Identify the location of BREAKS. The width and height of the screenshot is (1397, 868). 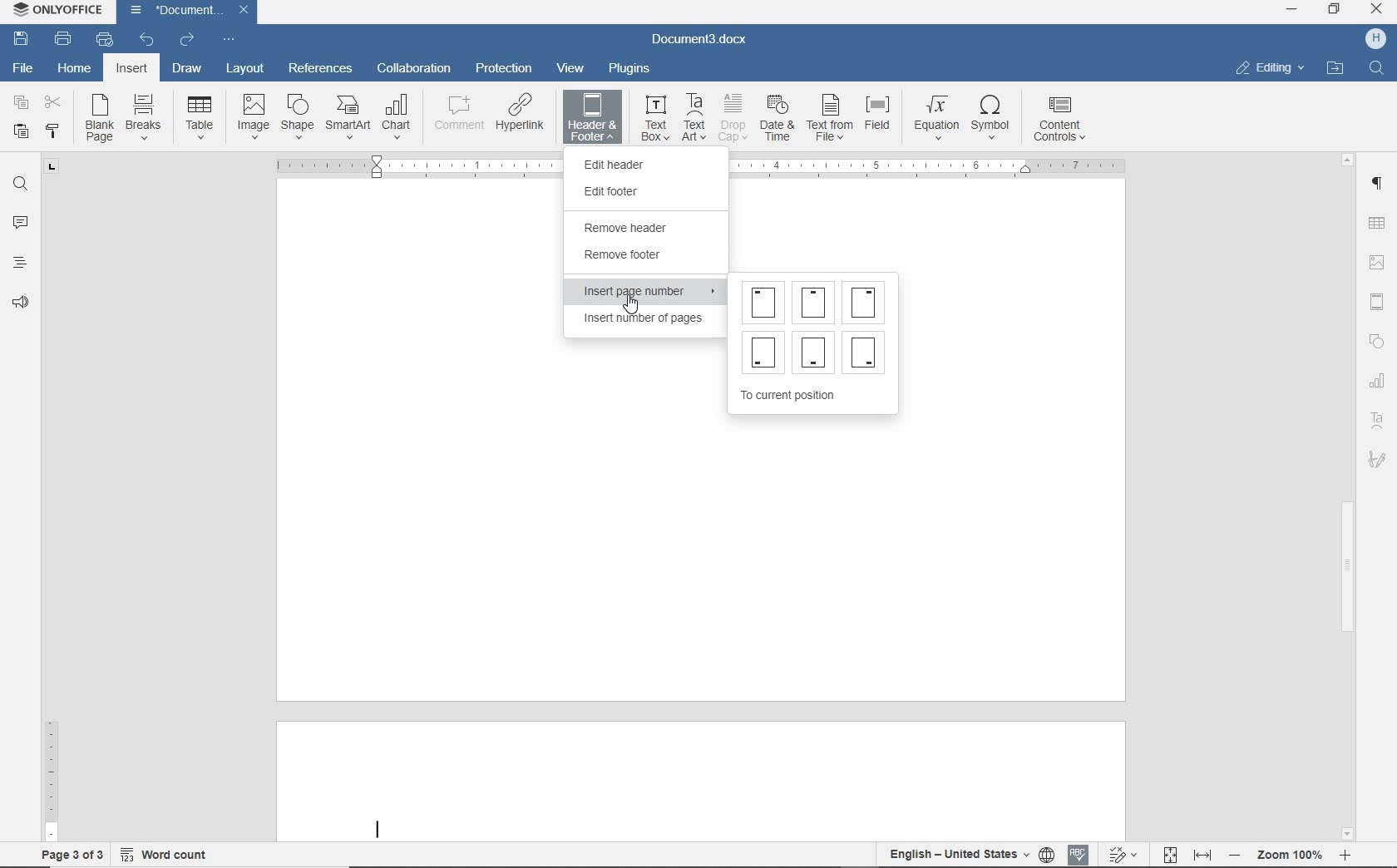
(147, 120).